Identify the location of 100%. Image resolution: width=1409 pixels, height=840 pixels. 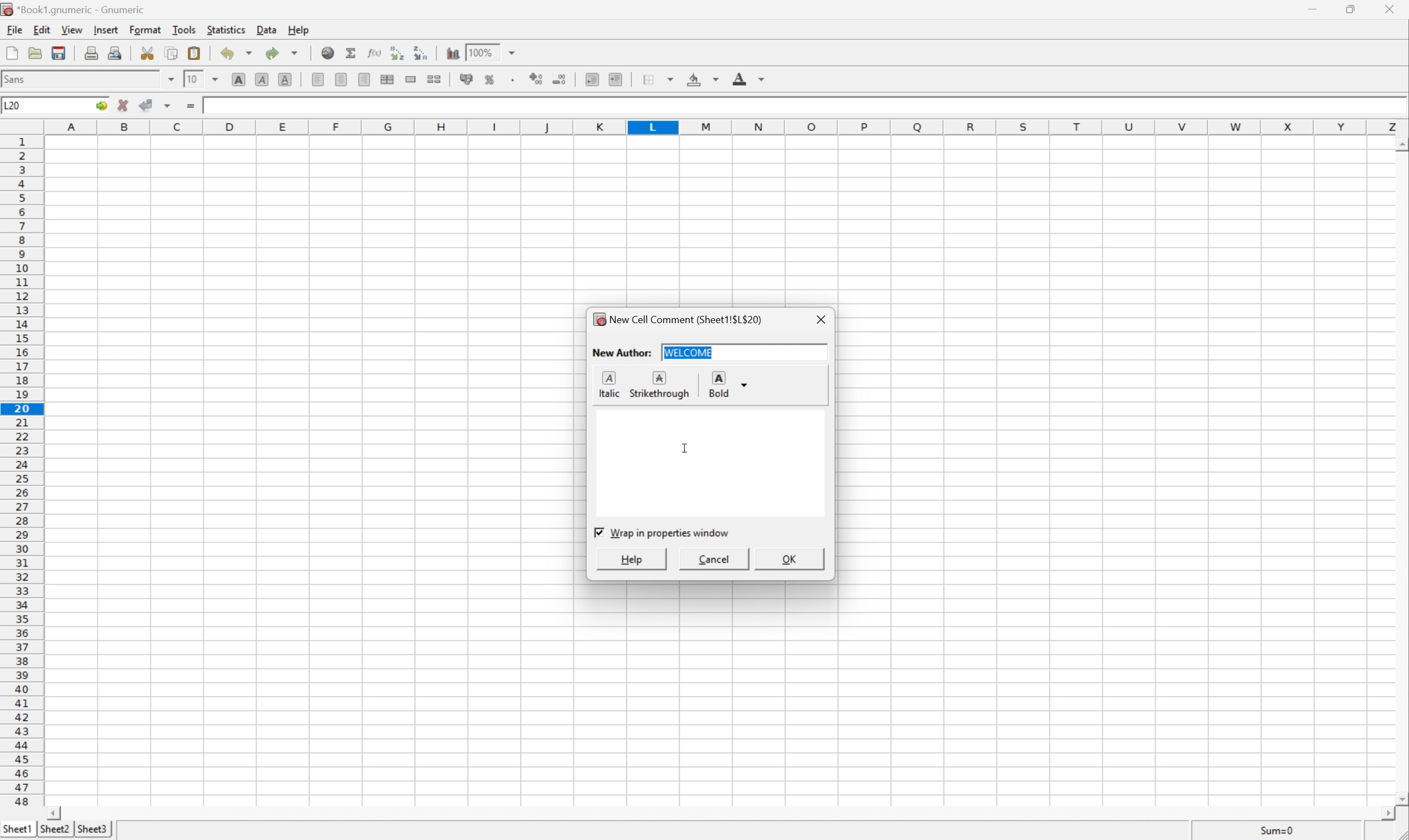
(481, 52).